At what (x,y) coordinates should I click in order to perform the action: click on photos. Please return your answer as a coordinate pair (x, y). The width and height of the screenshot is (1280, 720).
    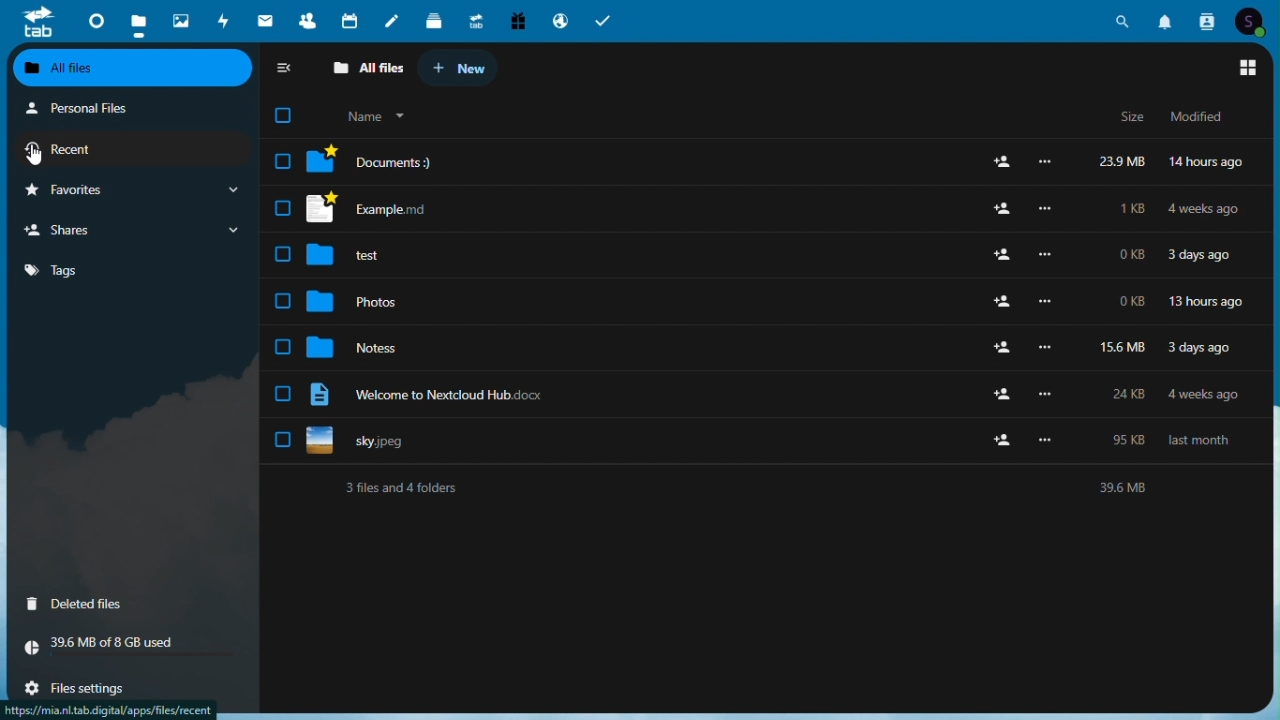
    Looking at the image, I should click on (180, 17).